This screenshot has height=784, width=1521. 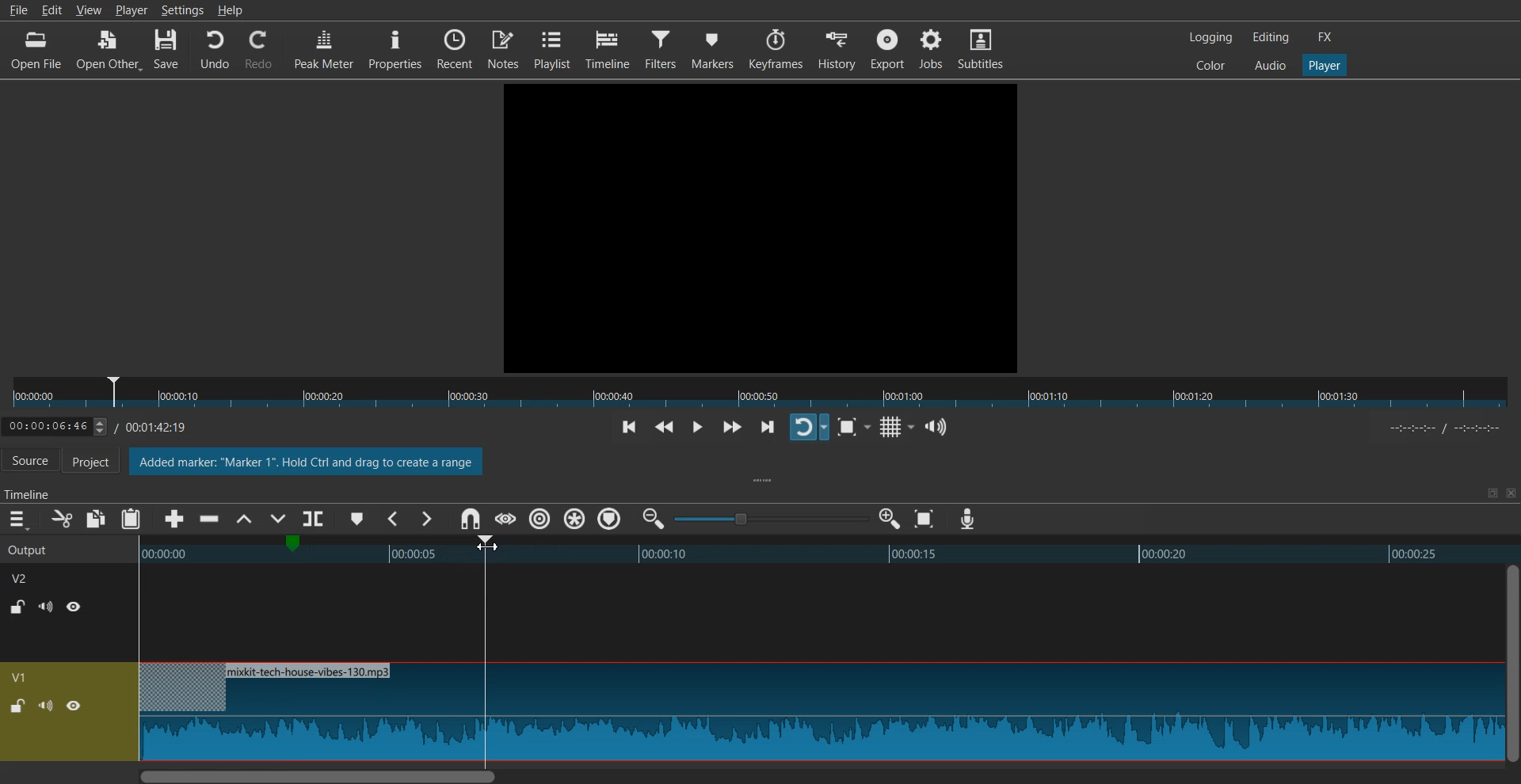 What do you see at coordinates (764, 226) in the screenshot?
I see `File Preview window` at bounding box center [764, 226].